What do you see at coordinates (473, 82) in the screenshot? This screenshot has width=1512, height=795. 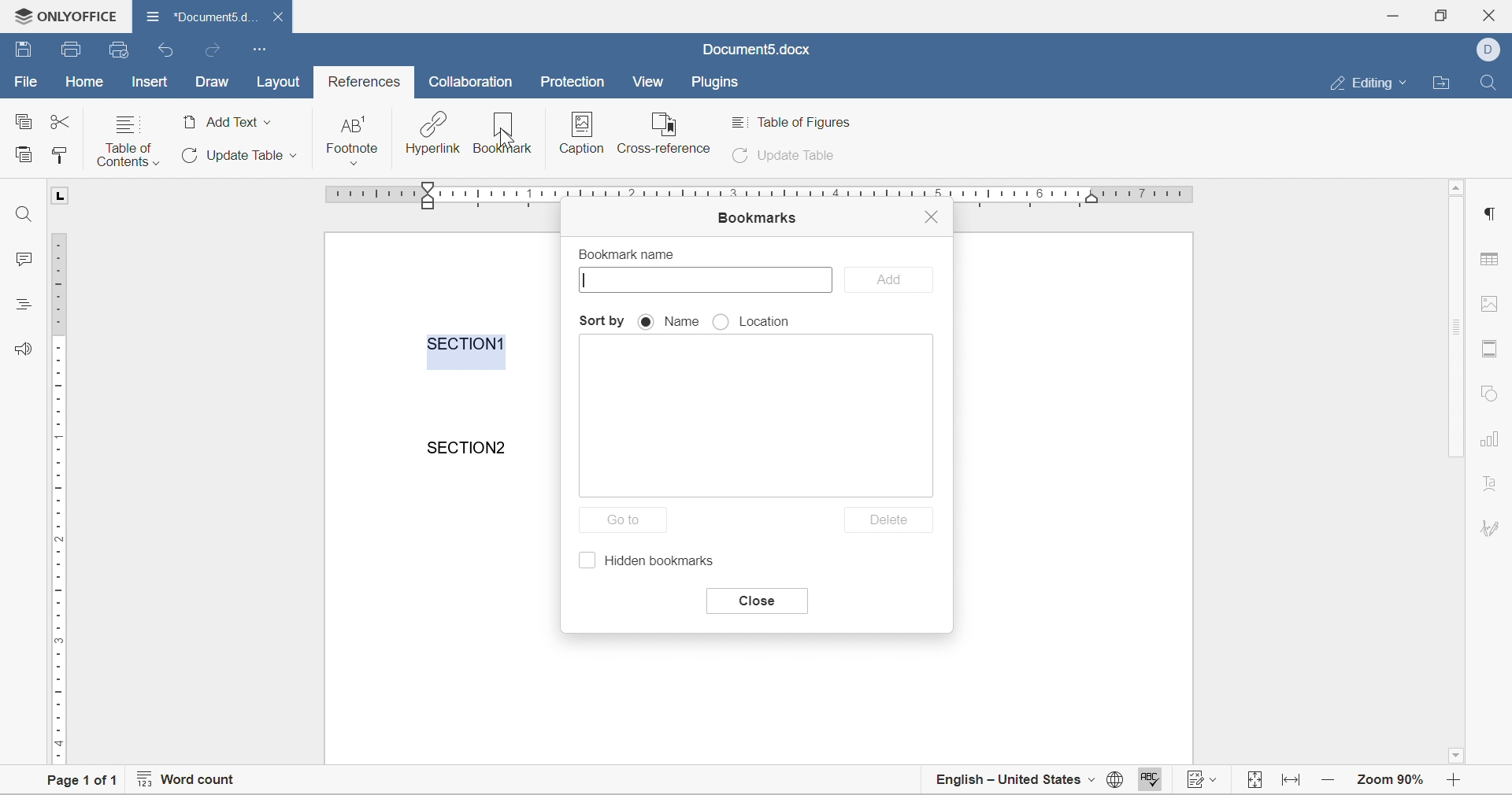 I see `collaboration` at bounding box center [473, 82].